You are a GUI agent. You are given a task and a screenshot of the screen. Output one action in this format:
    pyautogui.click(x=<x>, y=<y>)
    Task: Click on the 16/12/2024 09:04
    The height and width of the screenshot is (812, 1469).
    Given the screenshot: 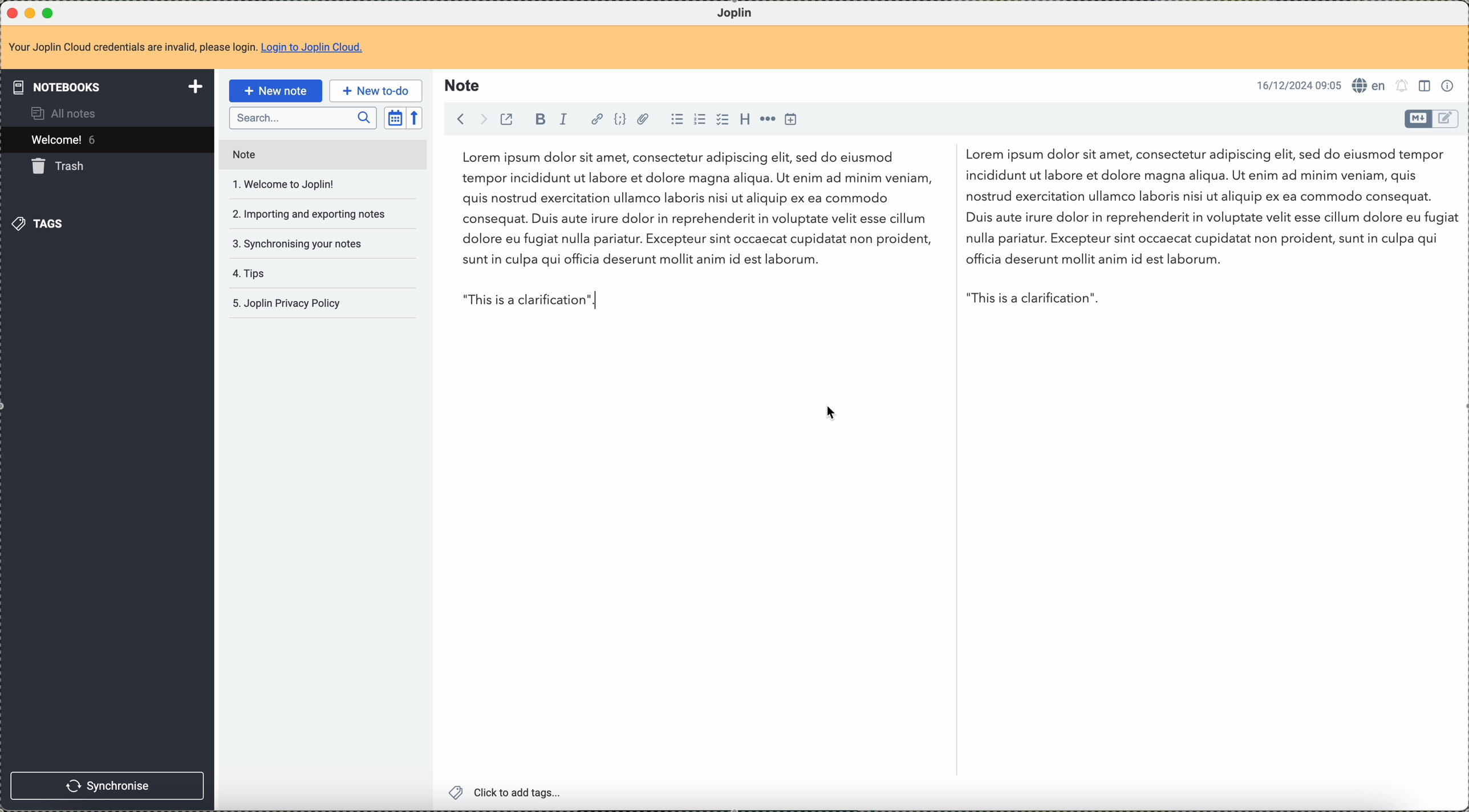 What is the action you would take?
    pyautogui.click(x=1298, y=84)
    